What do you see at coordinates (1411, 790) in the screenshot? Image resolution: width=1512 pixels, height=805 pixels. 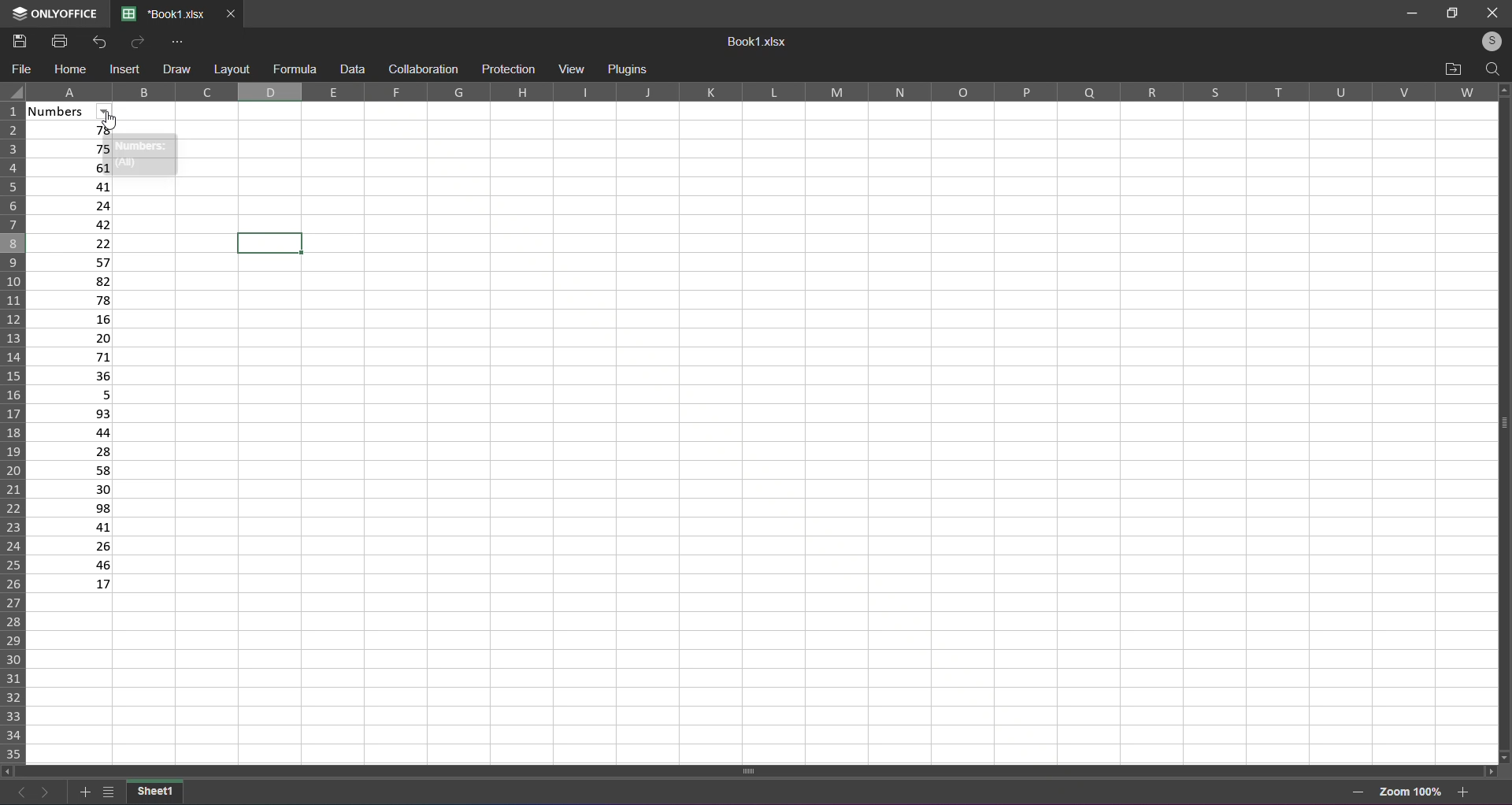 I see `Zoom 100%` at bounding box center [1411, 790].